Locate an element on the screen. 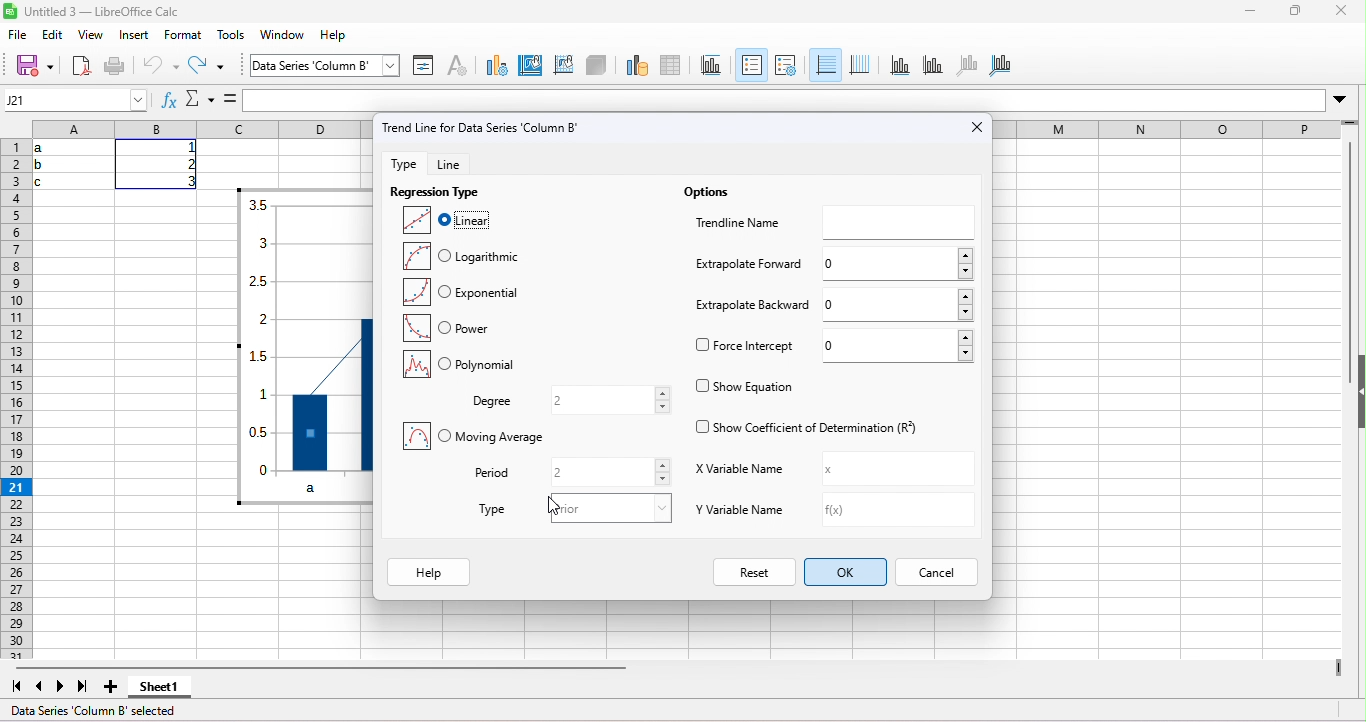 The height and width of the screenshot is (722, 1366). format is located at coordinates (181, 36).